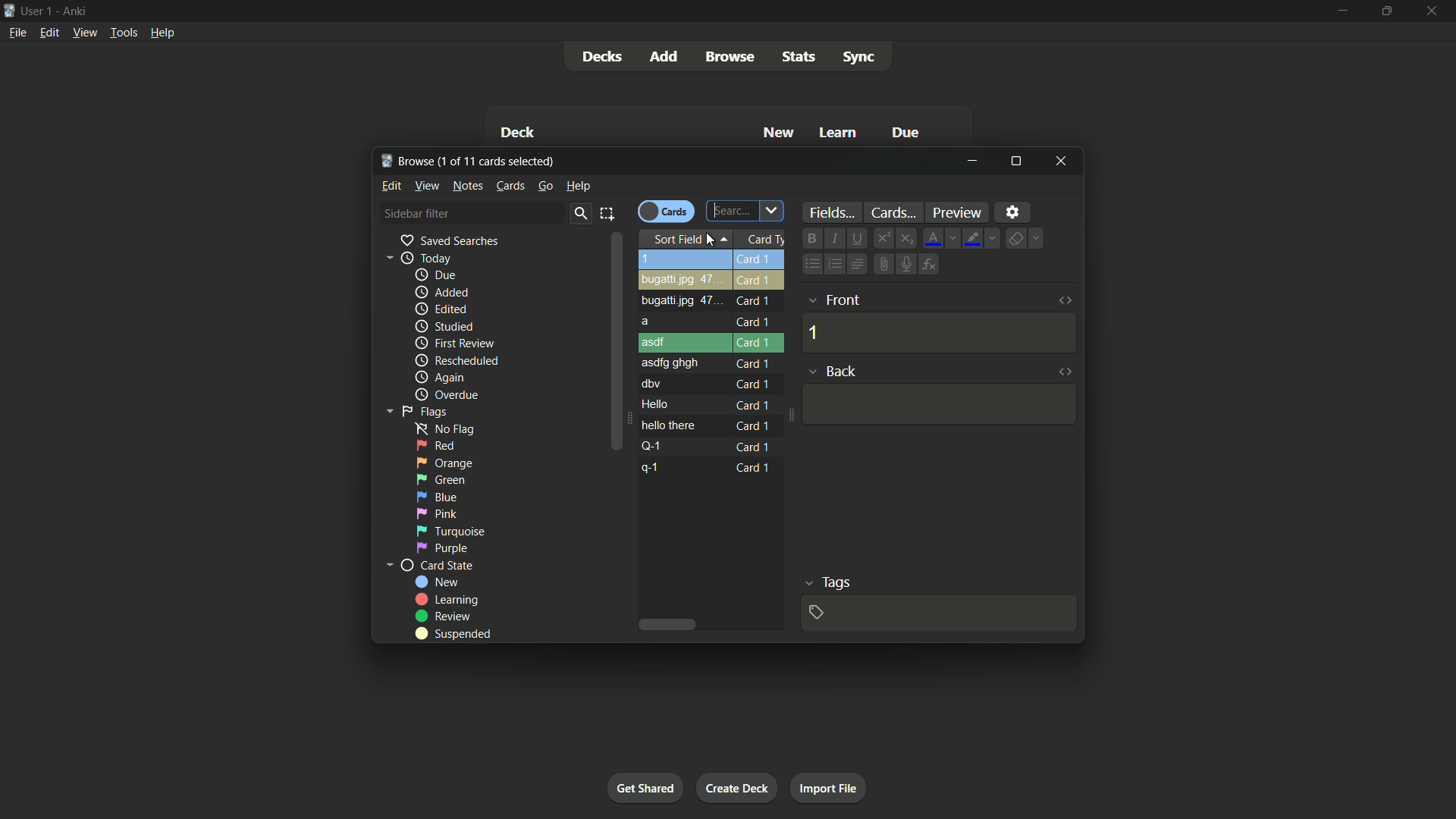 This screenshot has height=819, width=1456. Describe the element at coordinates (650, 446) in the screenshot. I see `q-1` at that location.